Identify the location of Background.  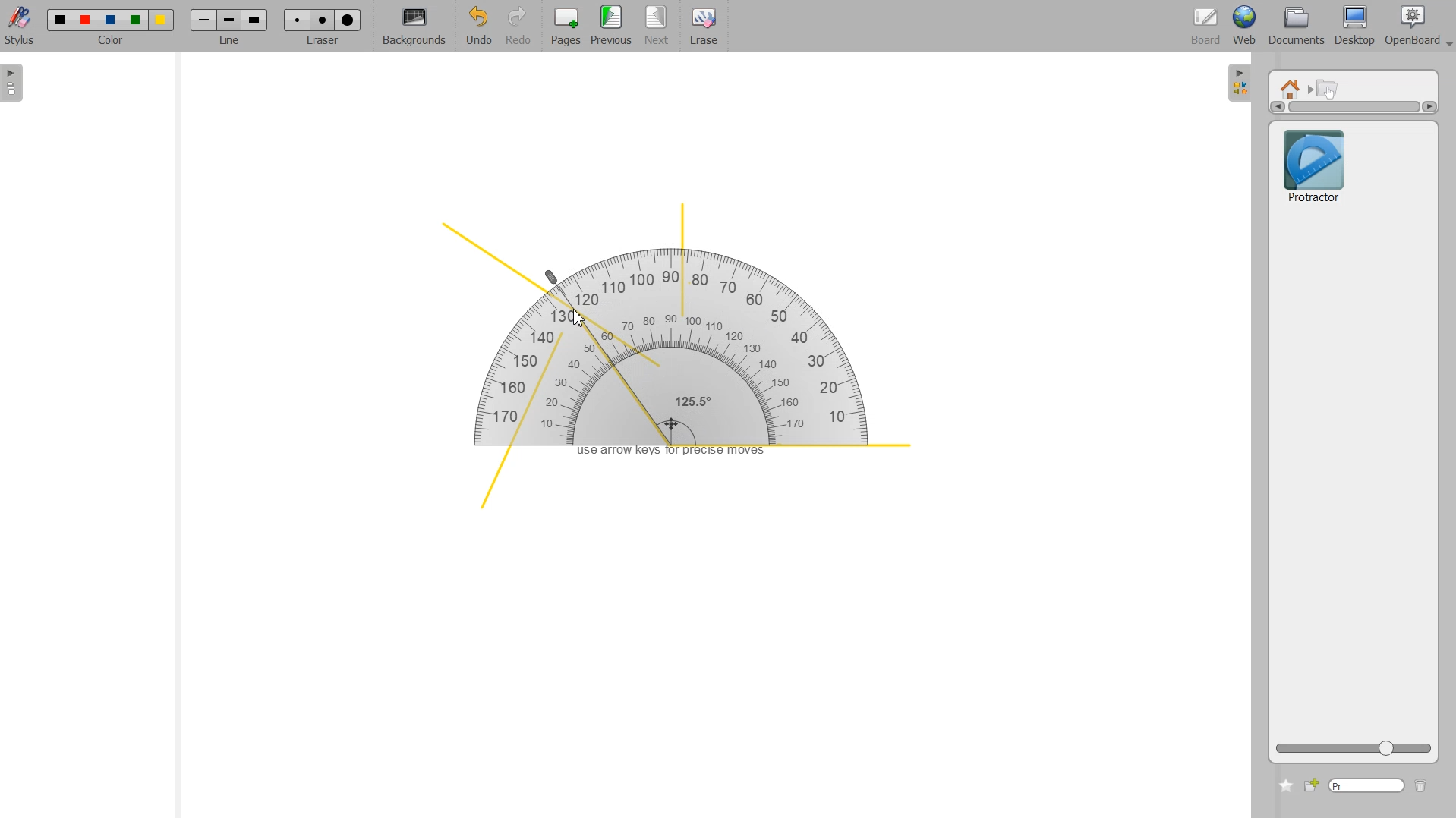
(414, 27).